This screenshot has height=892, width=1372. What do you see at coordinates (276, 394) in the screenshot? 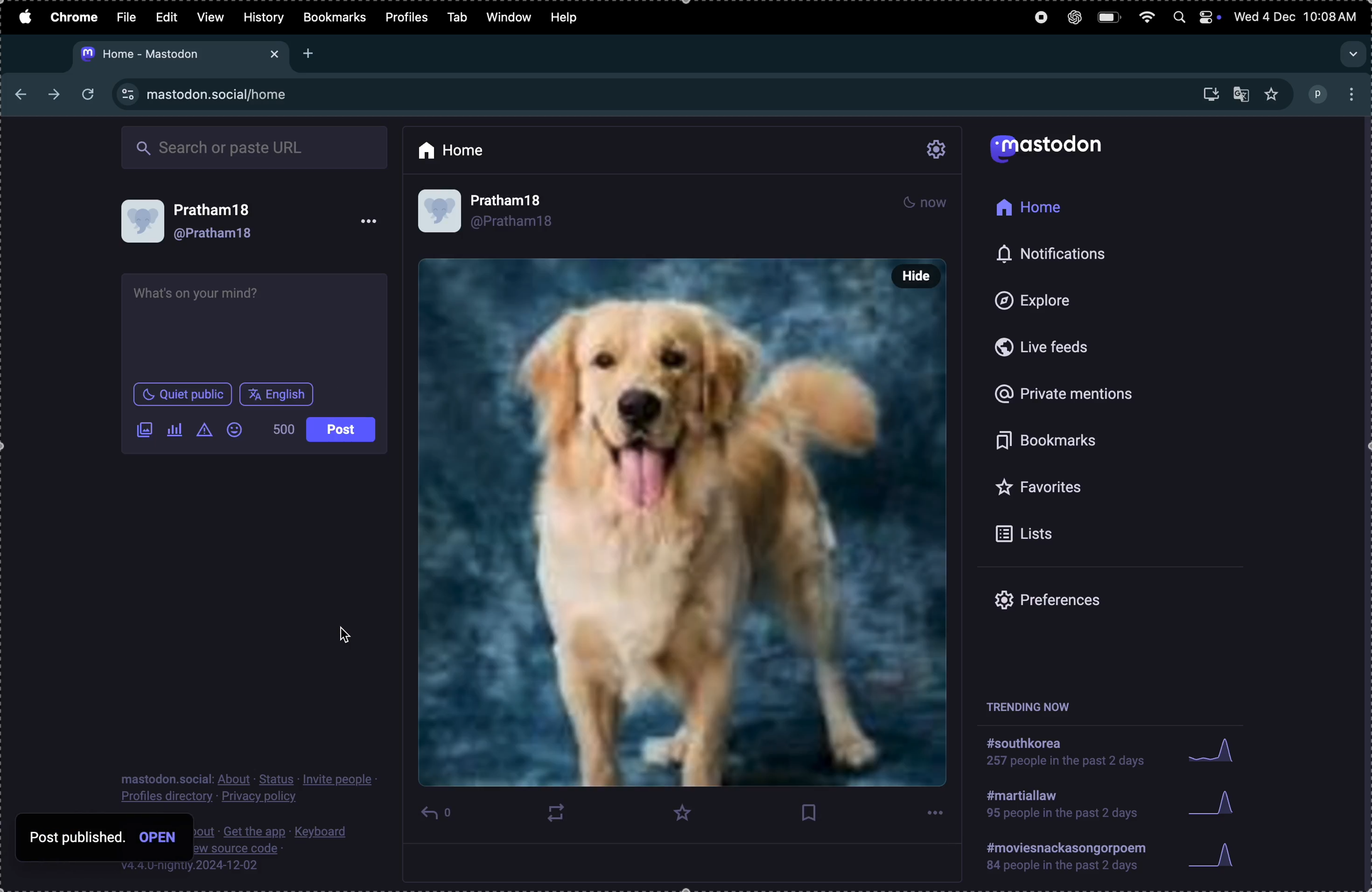
I see `English` at bounding box center [276, 394].